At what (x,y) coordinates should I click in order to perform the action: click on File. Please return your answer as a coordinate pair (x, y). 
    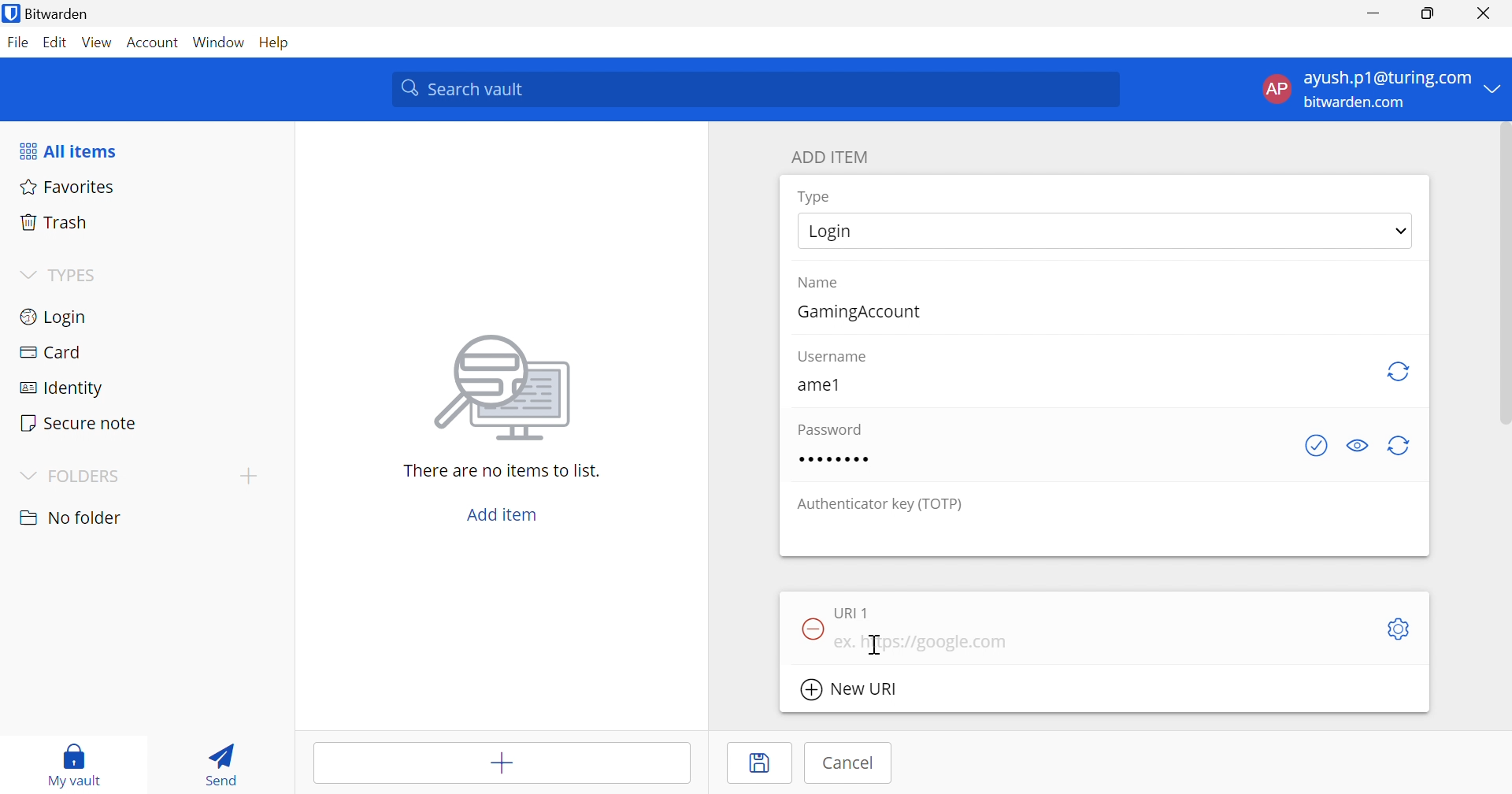
    Looking at the image, I should click on (18, 43).